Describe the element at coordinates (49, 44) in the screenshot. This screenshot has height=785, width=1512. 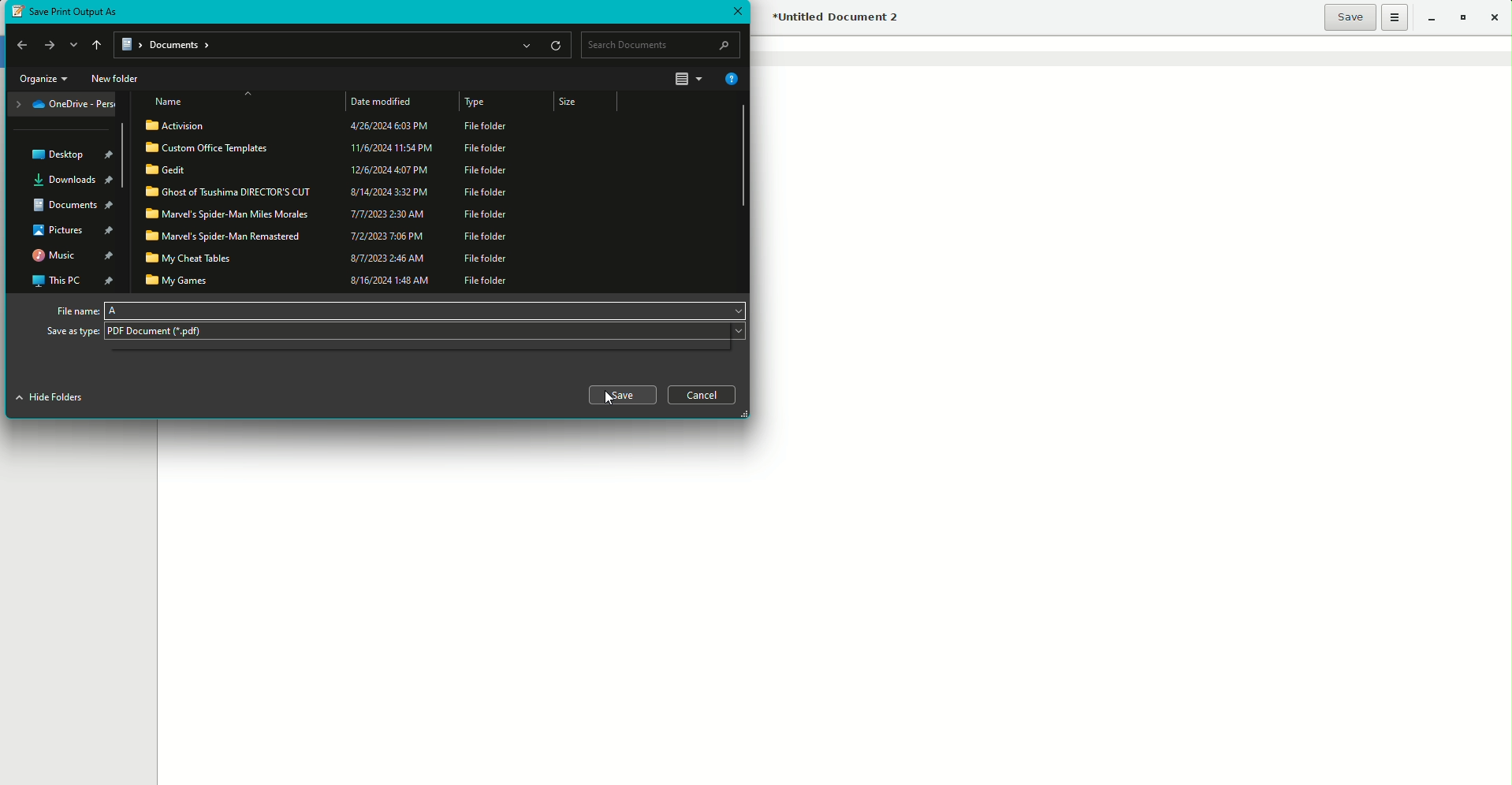
I see `Forward` at that location.